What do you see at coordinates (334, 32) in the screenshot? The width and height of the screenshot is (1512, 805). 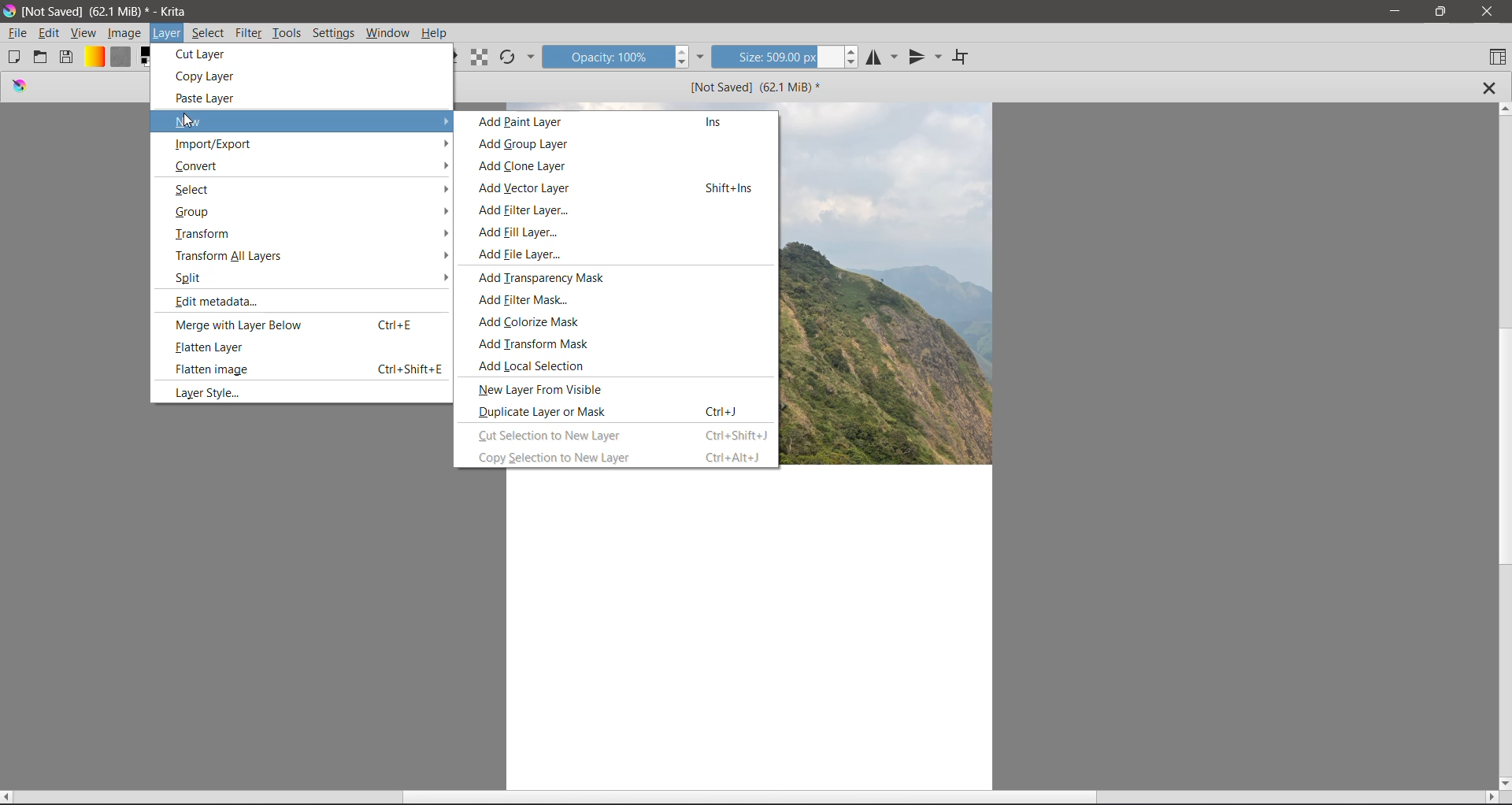 I see `Settings` at bounding box center [334, 32].